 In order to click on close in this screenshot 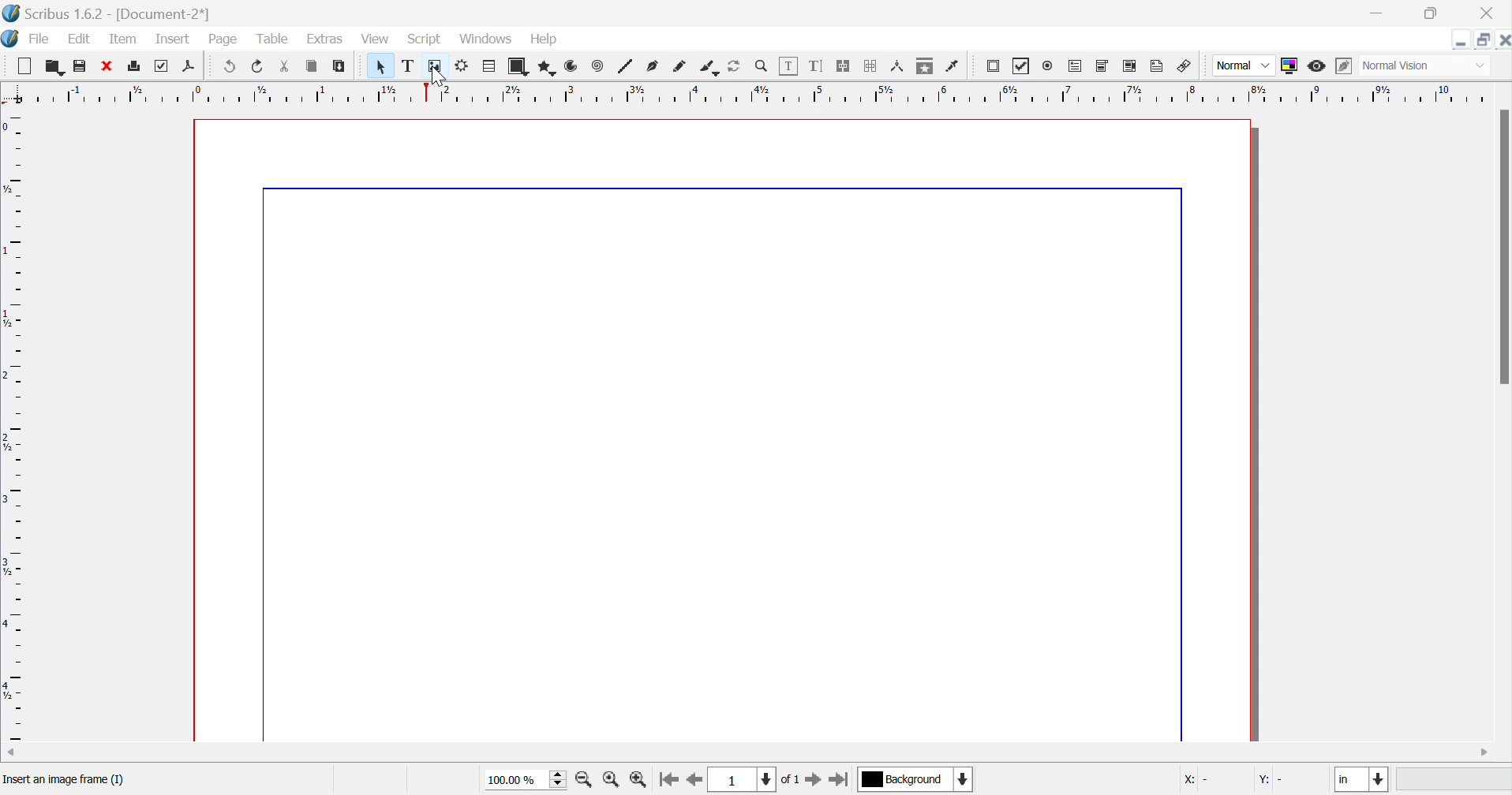, I will do `click(1488, 13)`.